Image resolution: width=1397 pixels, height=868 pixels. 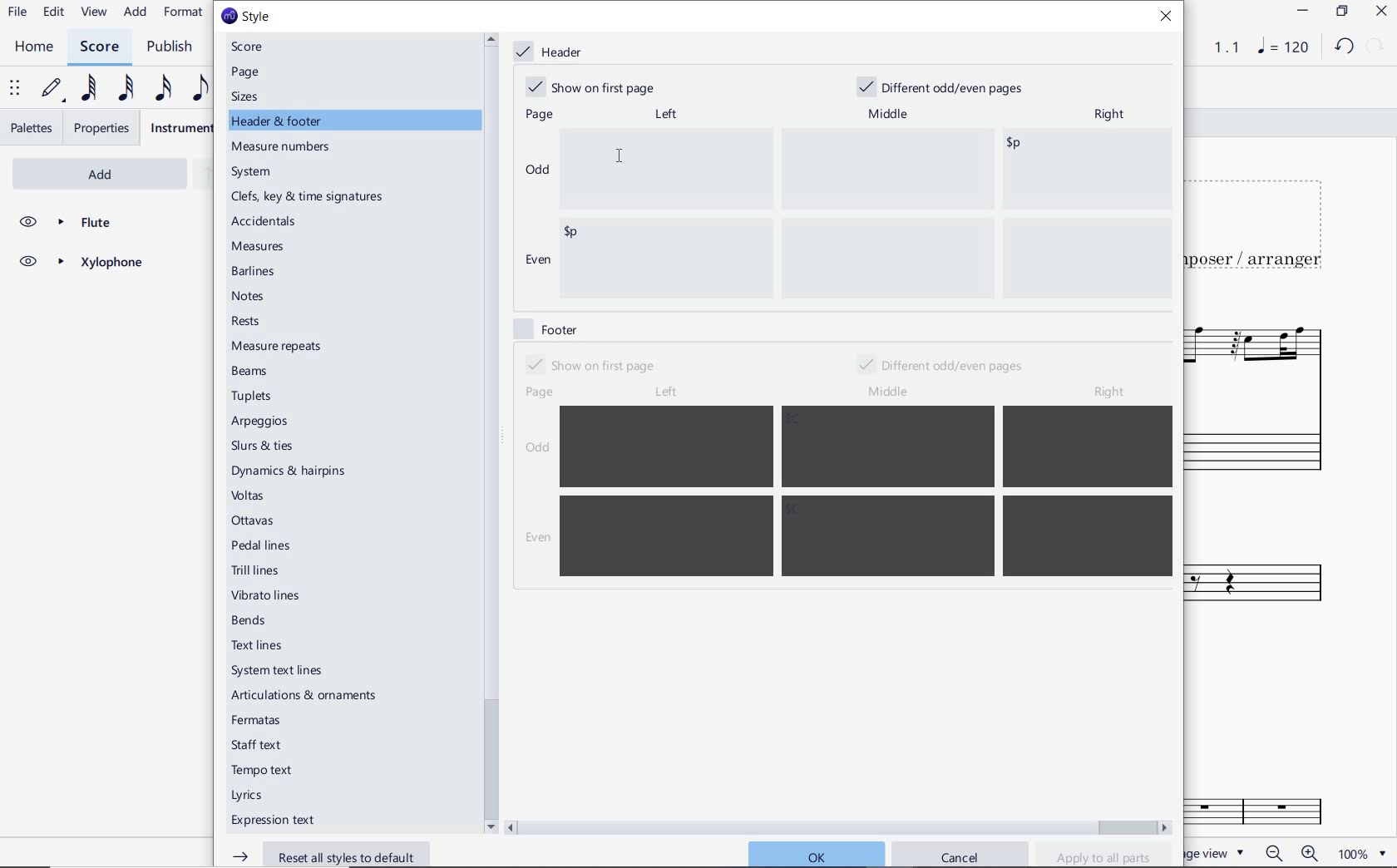 I want to click on different odd/even pages, so click(x=946, y=85).